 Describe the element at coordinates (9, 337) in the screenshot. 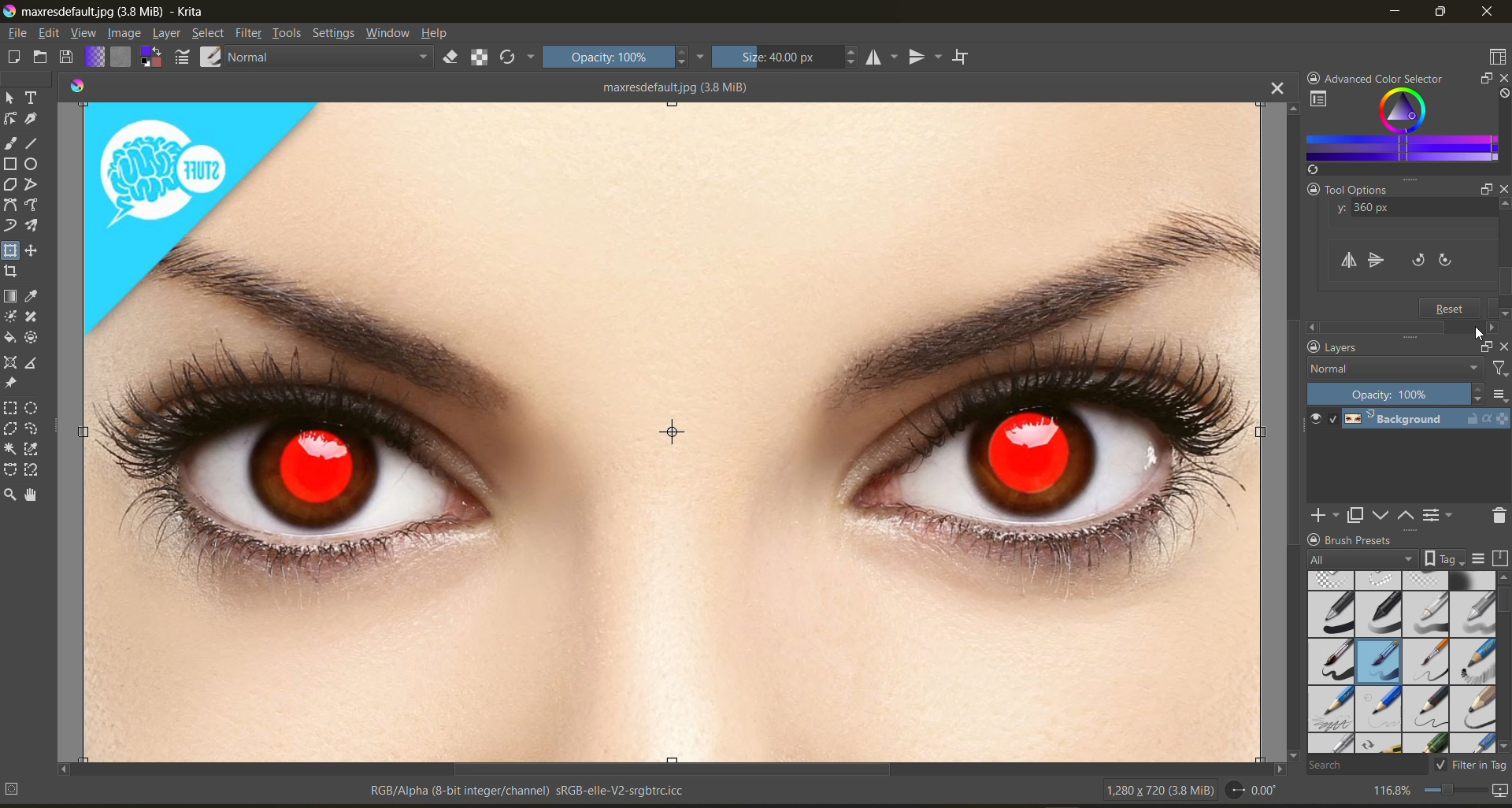

I see `tool` at that location.